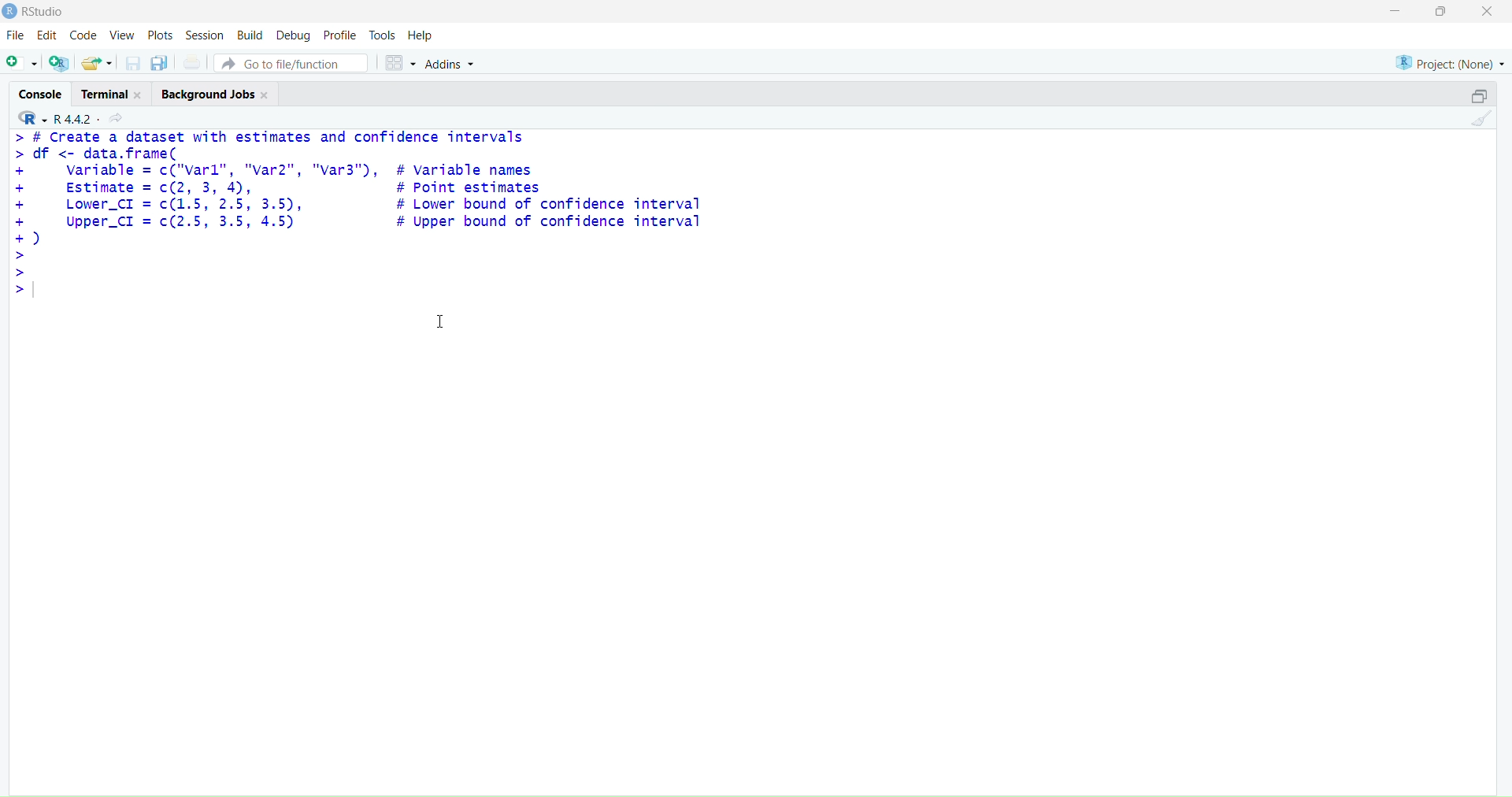  I want to click on Go to file/function, so click(290, 64).